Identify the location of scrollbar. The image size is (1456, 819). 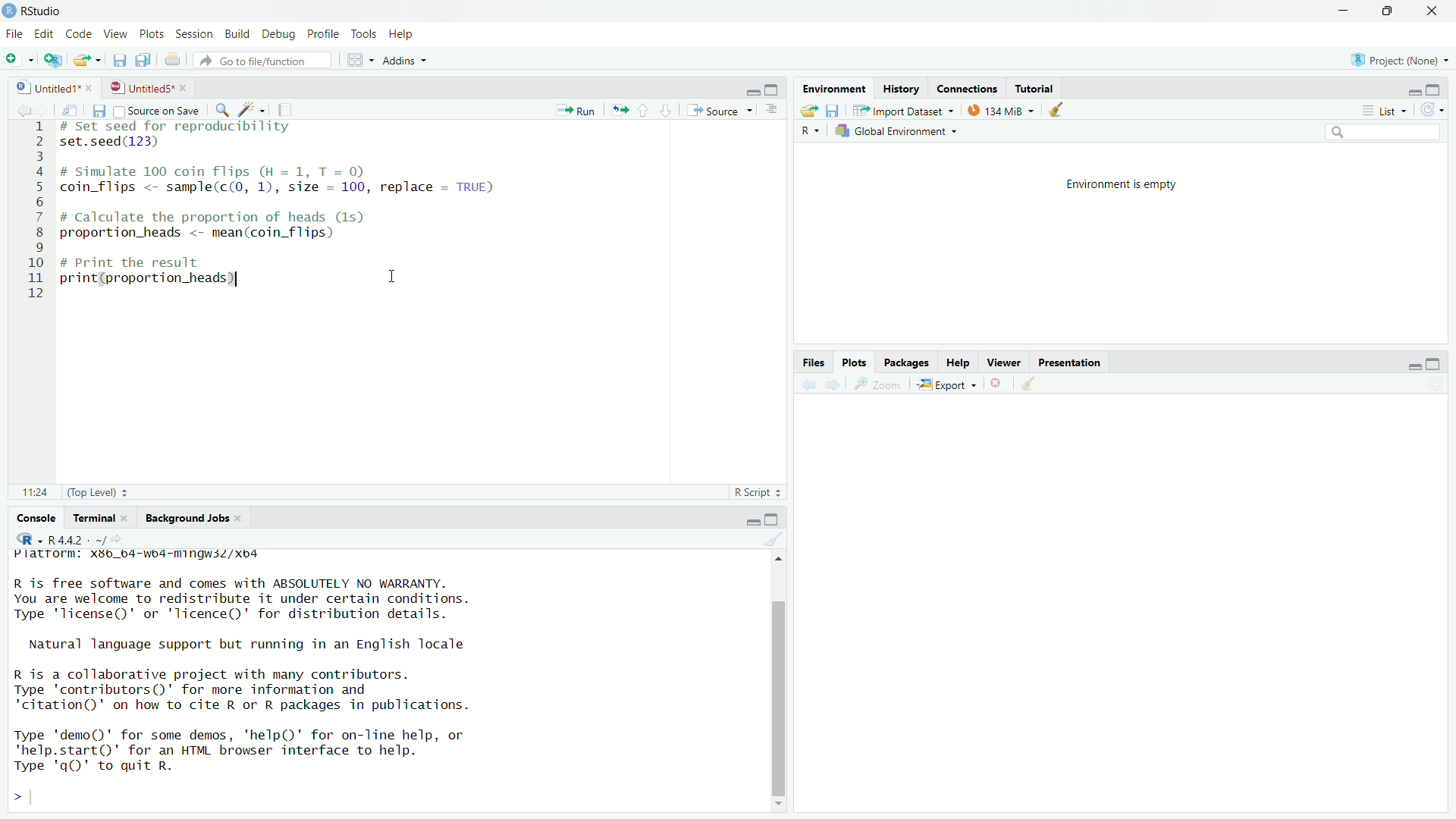
(777, 682).